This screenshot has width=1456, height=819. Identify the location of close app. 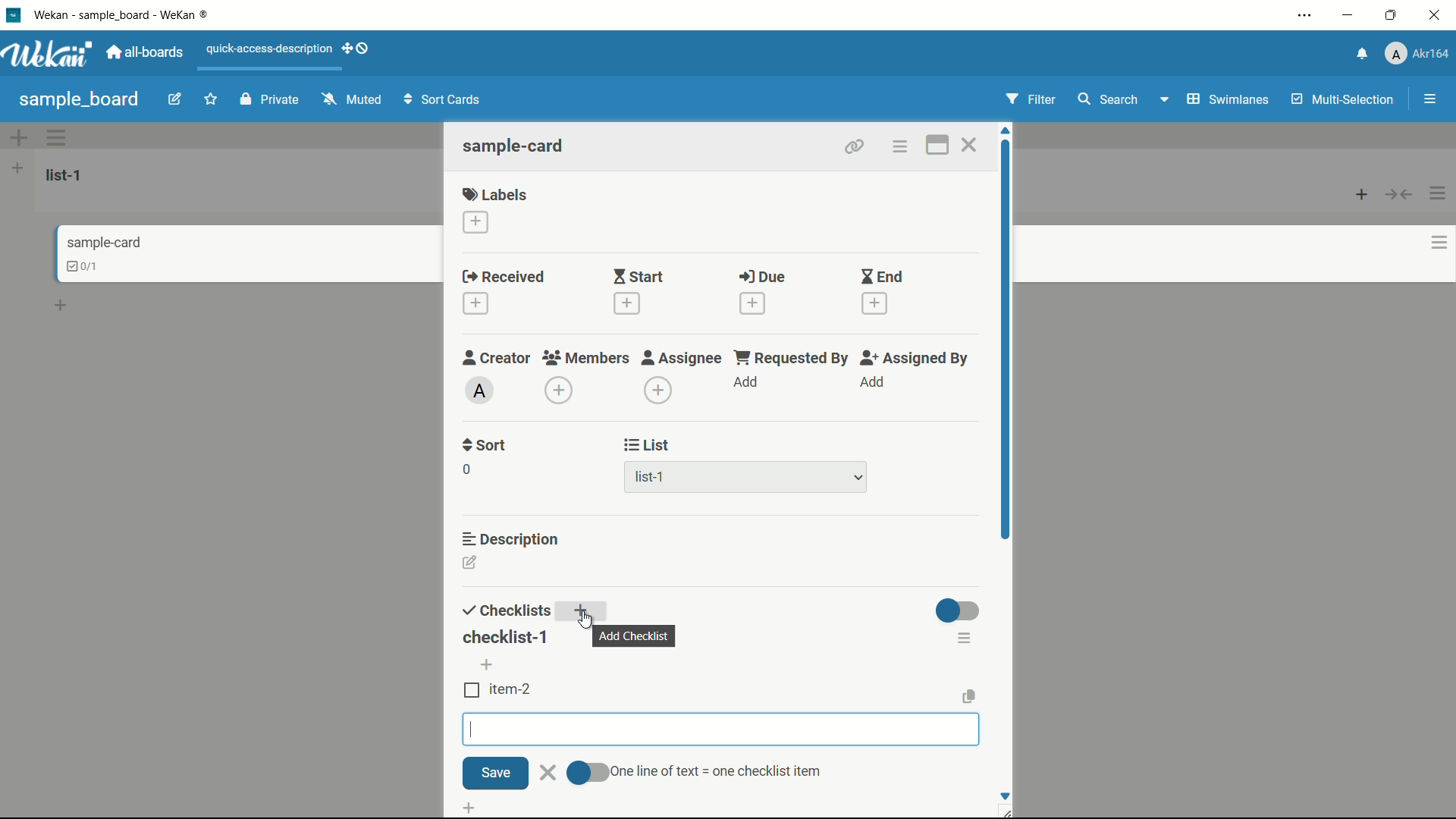
(1438, 15).